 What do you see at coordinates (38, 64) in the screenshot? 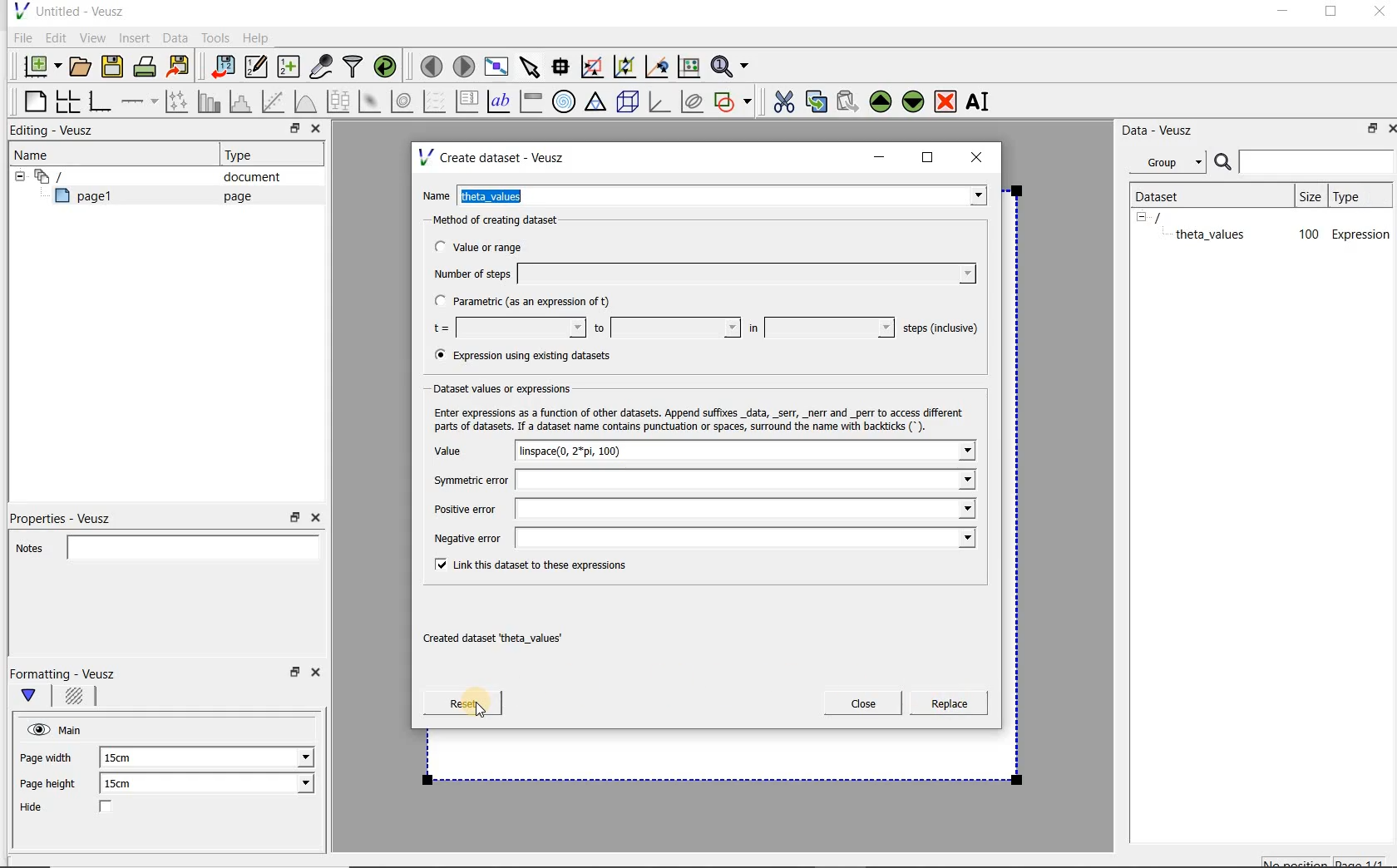
I see `new document` at bounding box center [38, 64].